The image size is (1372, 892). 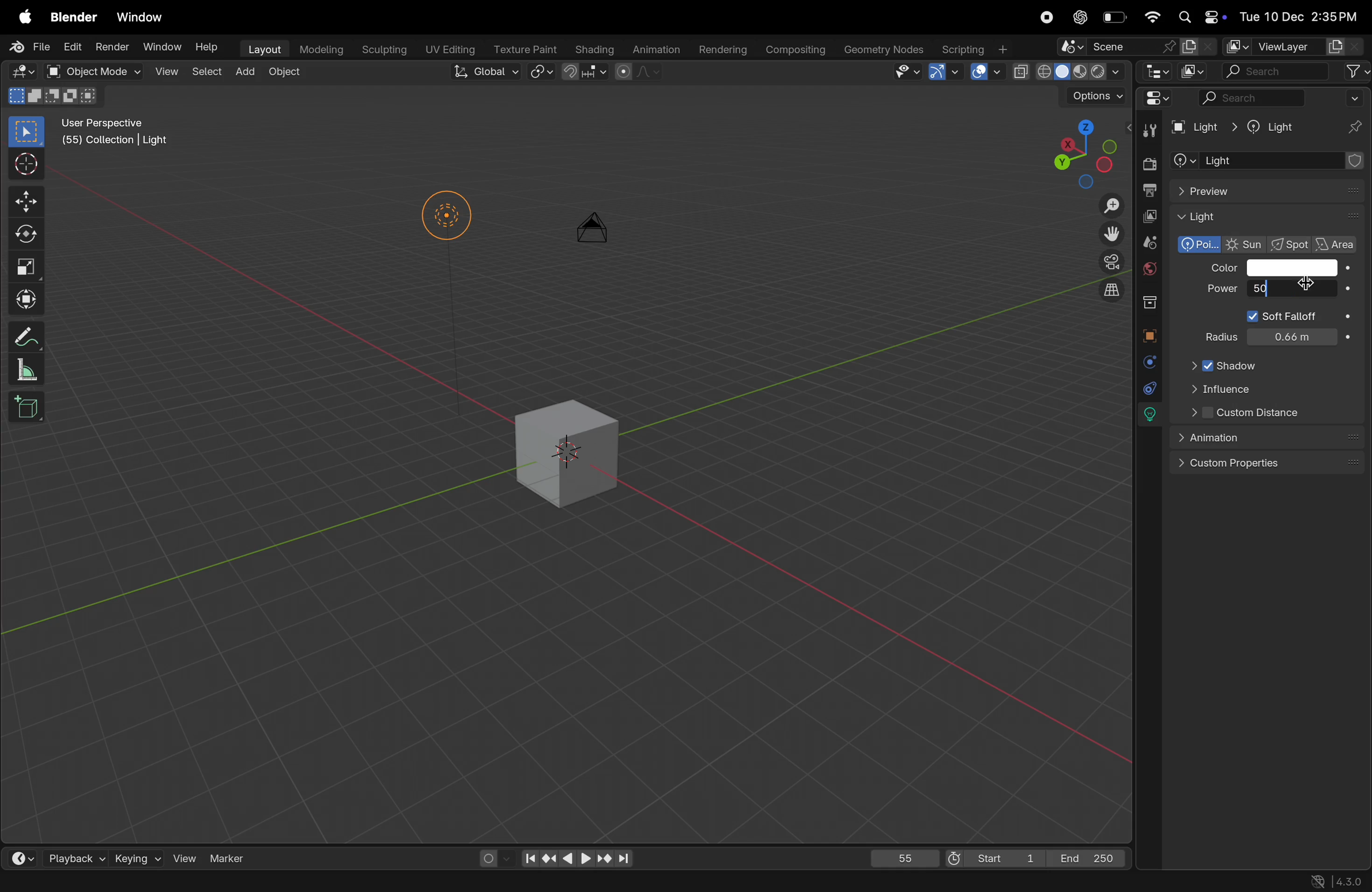 I want to click on time, so click(x=28, y=857).